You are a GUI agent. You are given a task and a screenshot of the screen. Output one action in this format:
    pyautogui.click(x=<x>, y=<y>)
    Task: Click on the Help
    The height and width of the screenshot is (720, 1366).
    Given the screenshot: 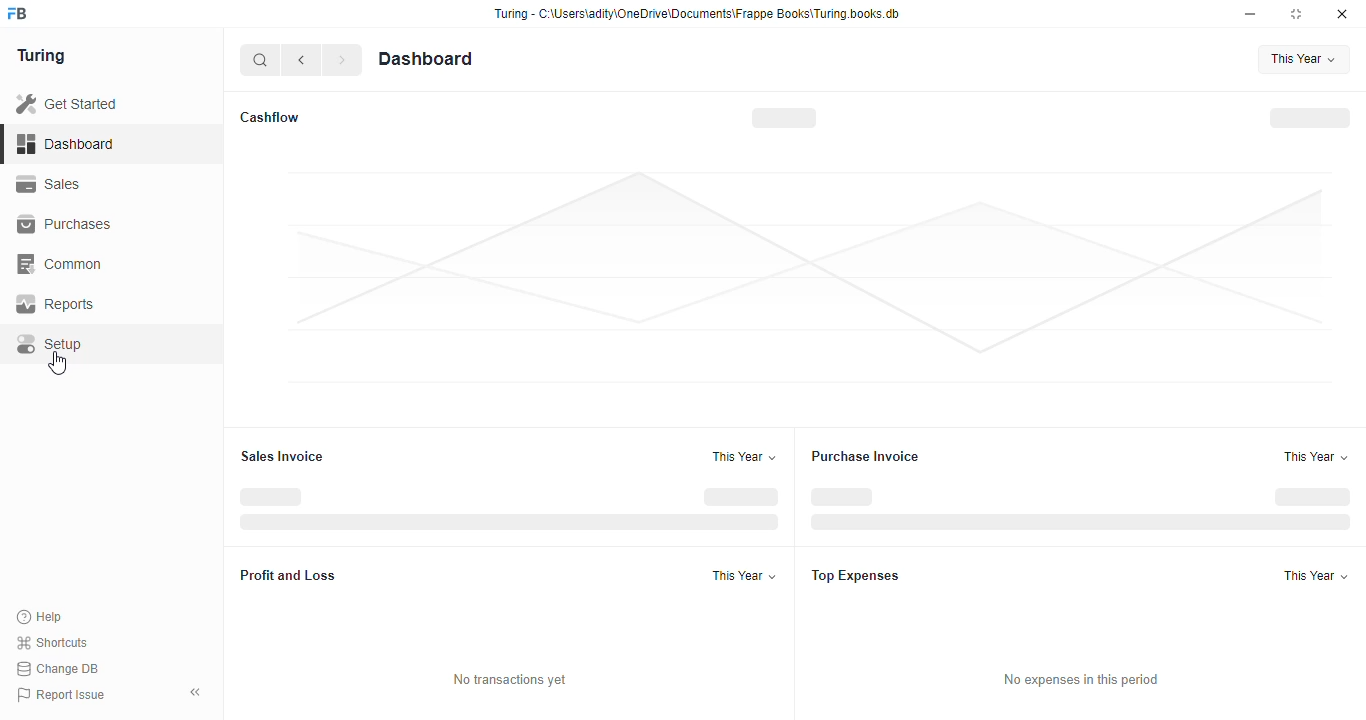 What is the action you would take?
    pyautogui.click(x=43, y=616)
    